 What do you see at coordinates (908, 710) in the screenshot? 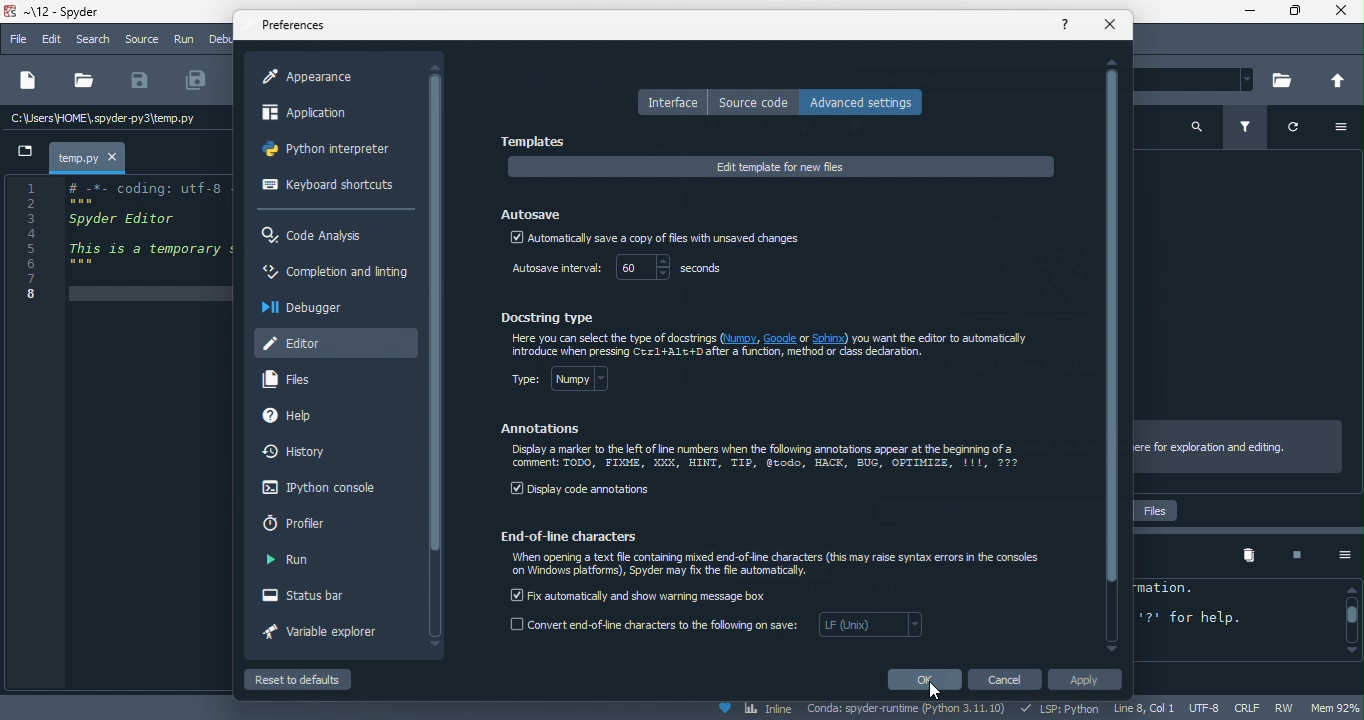
I see `conda spyder runtime` at bounding box center [908, 710].